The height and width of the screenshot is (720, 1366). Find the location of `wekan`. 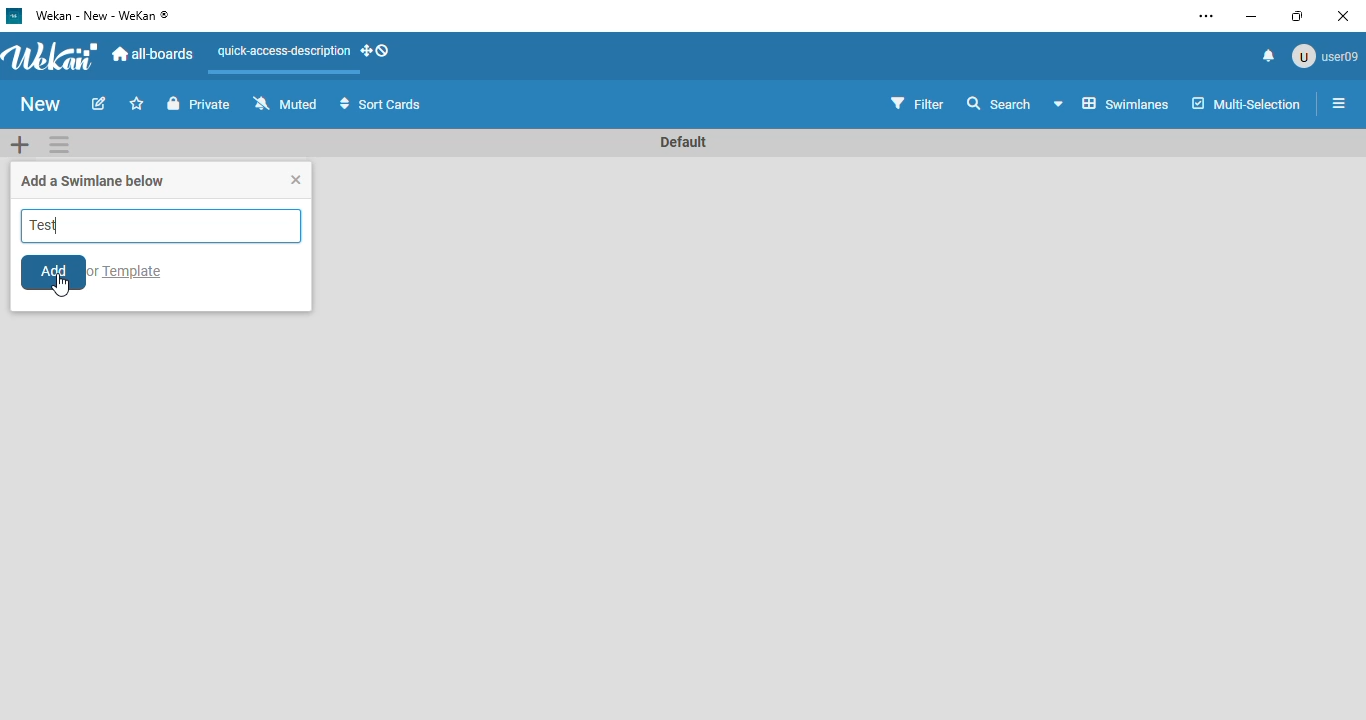

wekan is located at coordinates (53, 55).